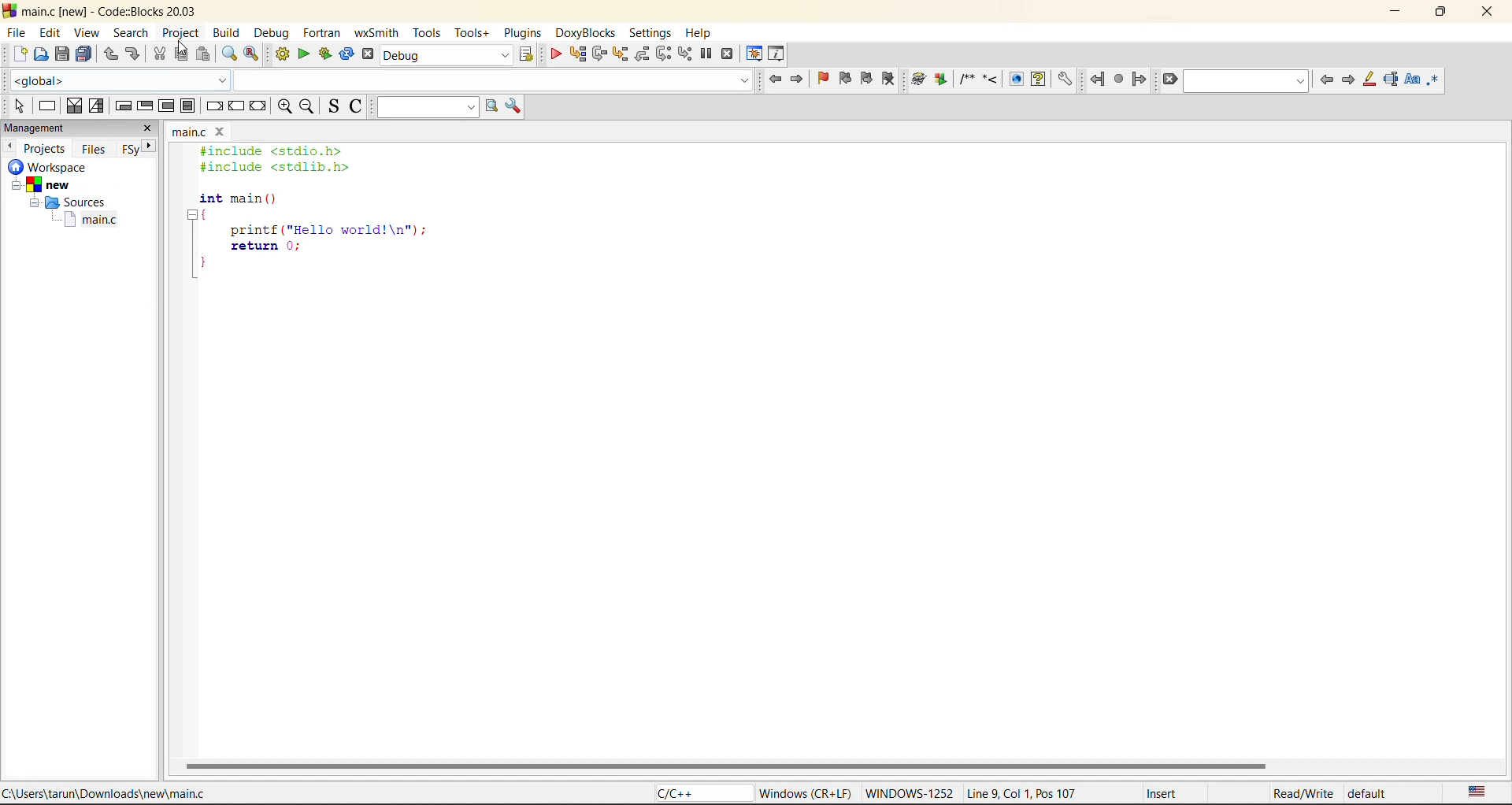 This screenshot has height=805, width=1512. I want to click on debug, so click(276, 35).